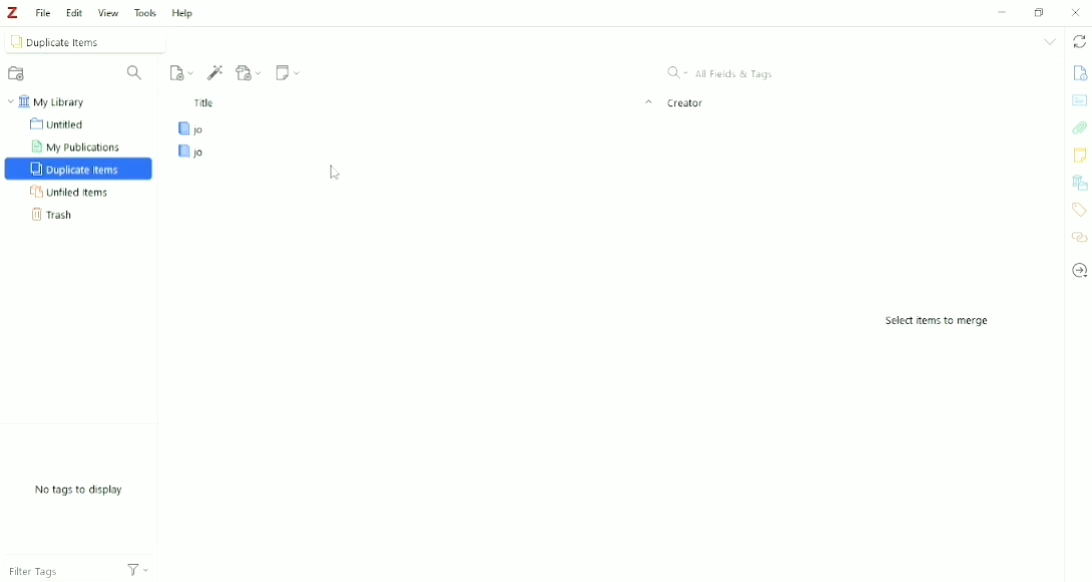 Image resolution: width=1092 pixels, height=582 pixels. What do you see at coordinates (1042, 12) in the screenshot?
I see `Maximize` at bounding box center [1042, 12].